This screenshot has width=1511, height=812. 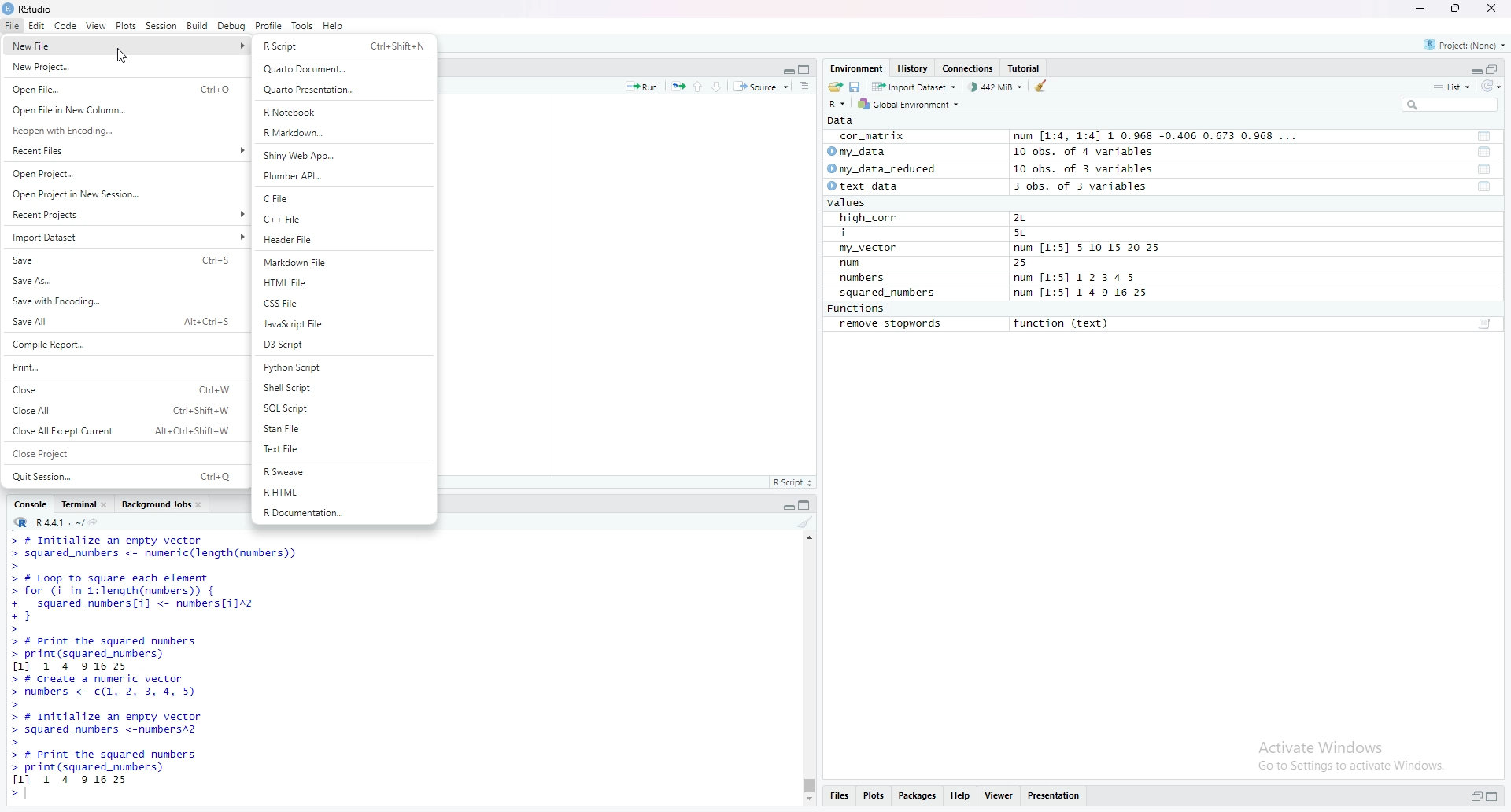 What do you see at coordinates (888, 292) in the screenshot?
I see `squared_numbers` at bounding box center [888, 292].